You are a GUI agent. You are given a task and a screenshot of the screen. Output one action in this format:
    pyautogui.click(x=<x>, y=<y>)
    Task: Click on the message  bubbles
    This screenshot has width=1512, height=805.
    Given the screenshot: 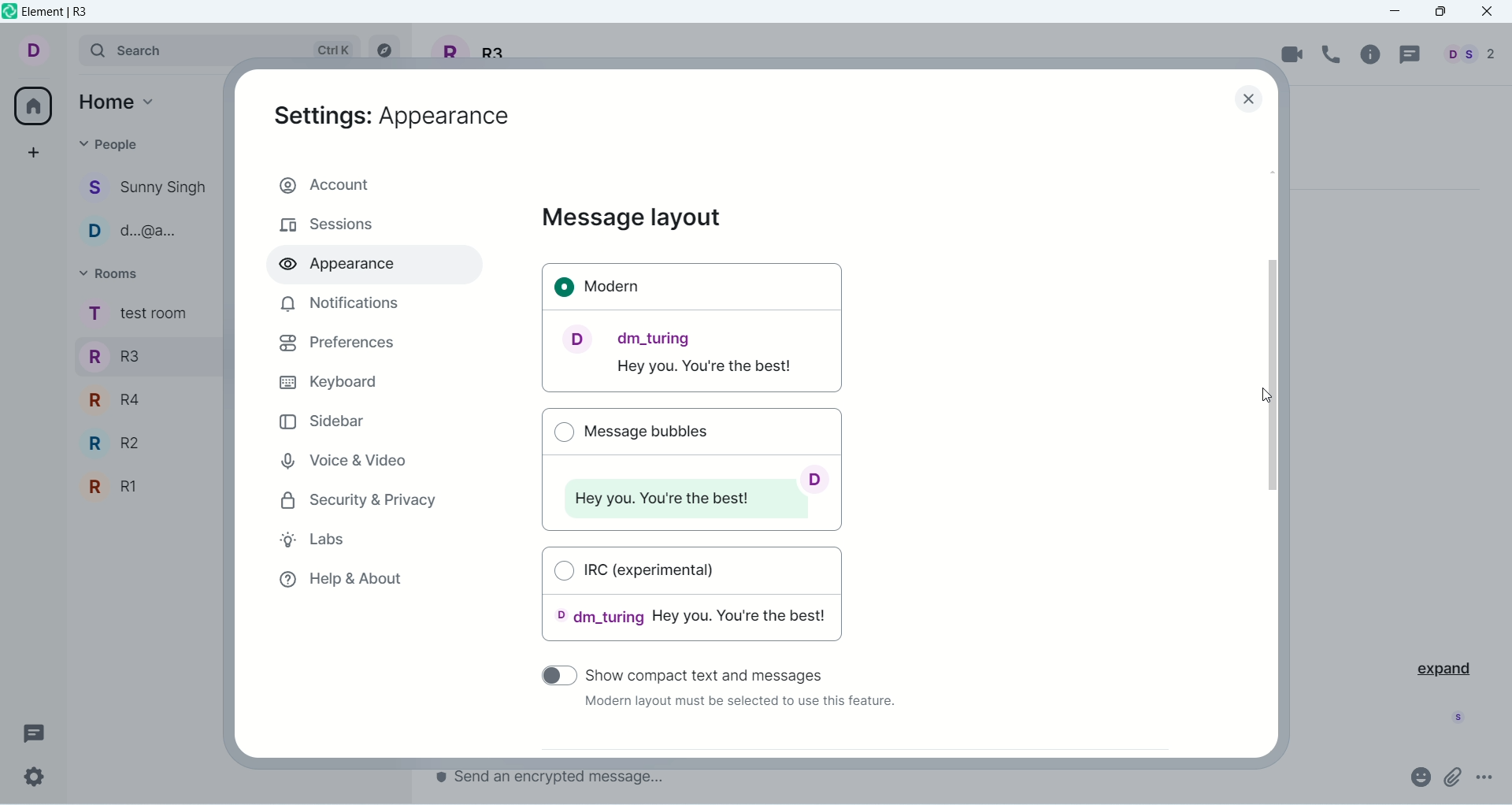 What is the action you would take?
    pyautogui.click(x=690, y=466)
    